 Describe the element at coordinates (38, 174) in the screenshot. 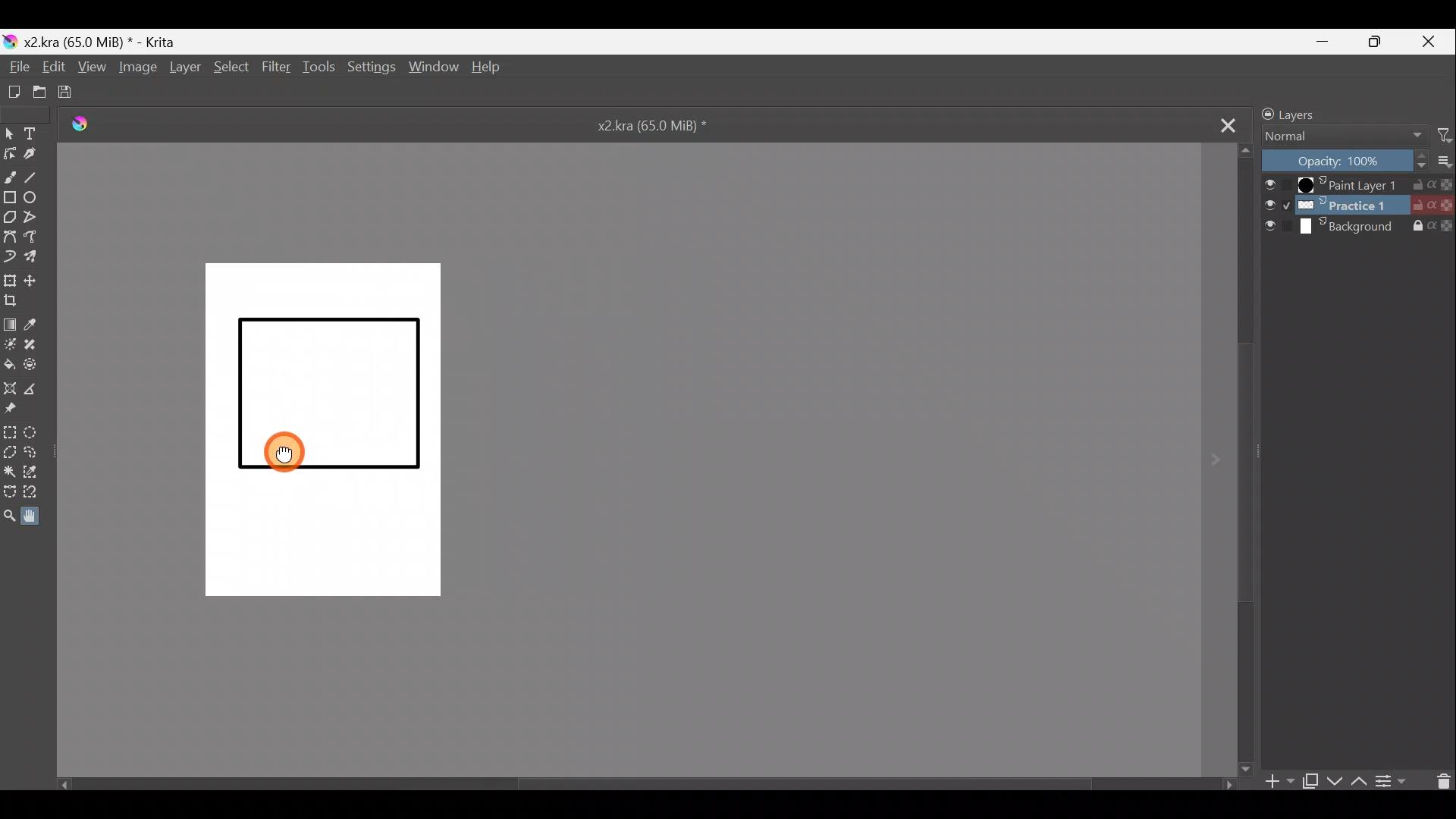

I see `Line tool` at that location.